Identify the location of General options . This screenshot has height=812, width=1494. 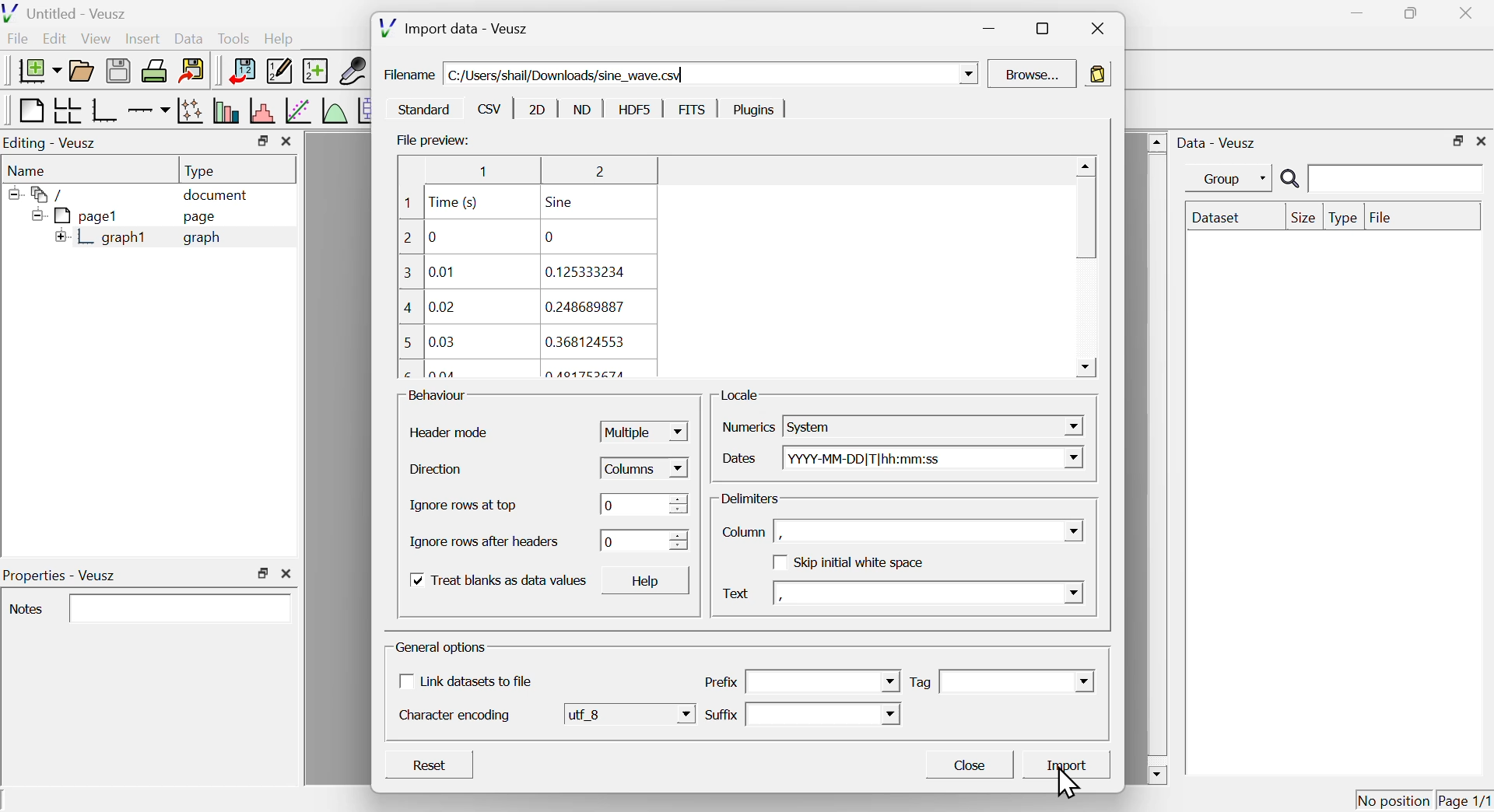
(442, 649).